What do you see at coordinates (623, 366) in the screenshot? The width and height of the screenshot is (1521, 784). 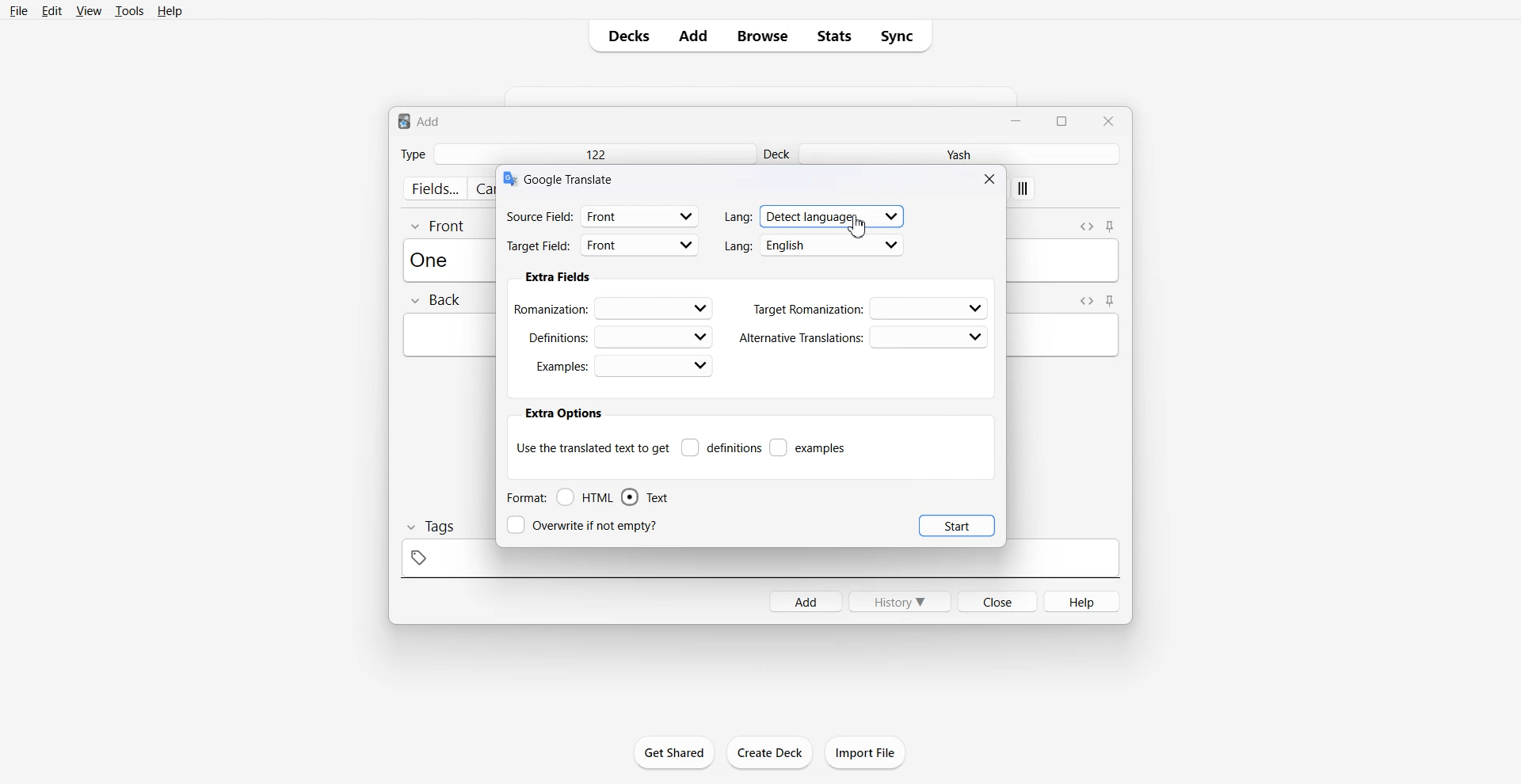 I see `Examples` at bounding box center [623, 366].